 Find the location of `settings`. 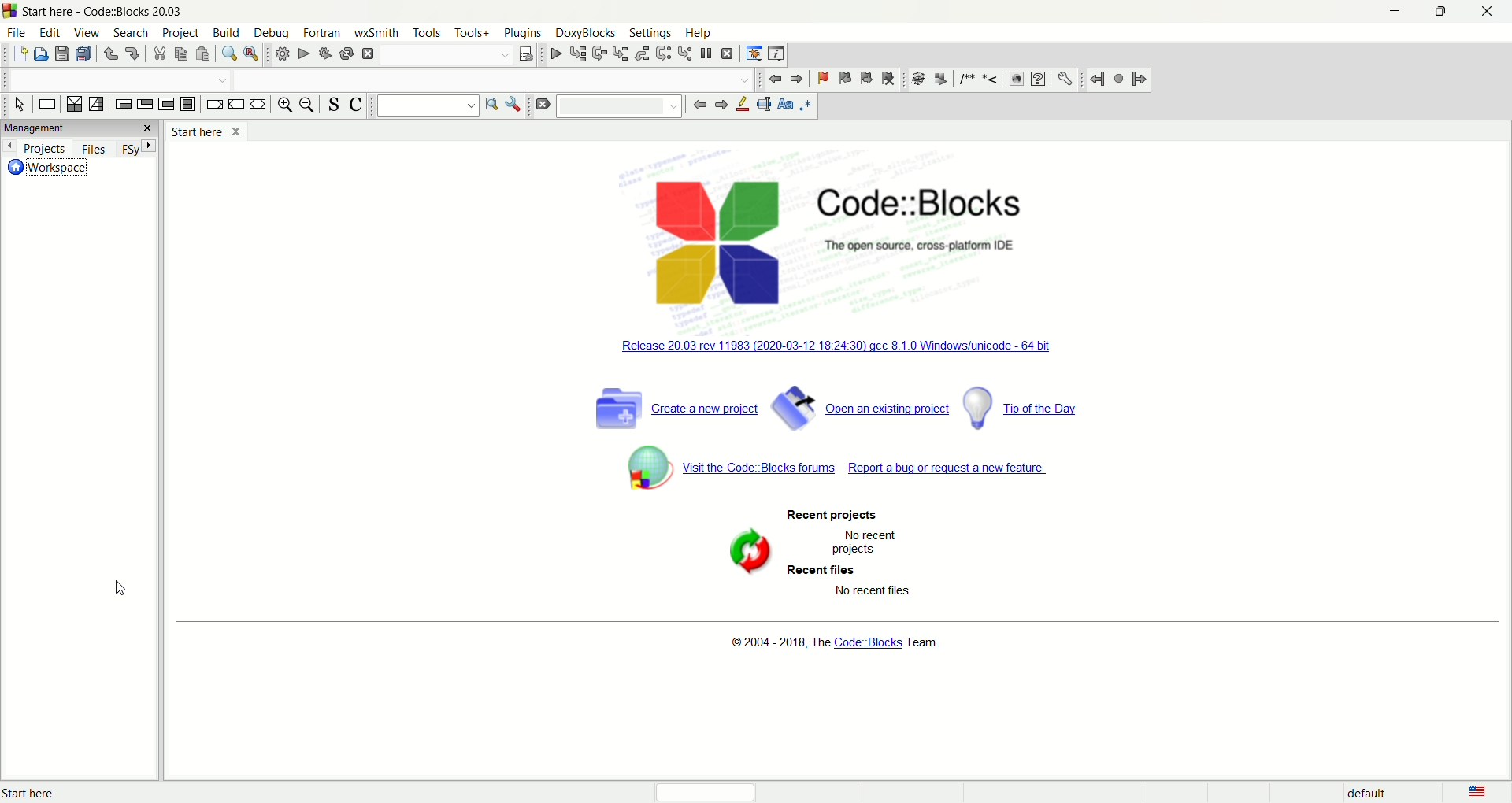

settings is located at coordinates (648, 32).